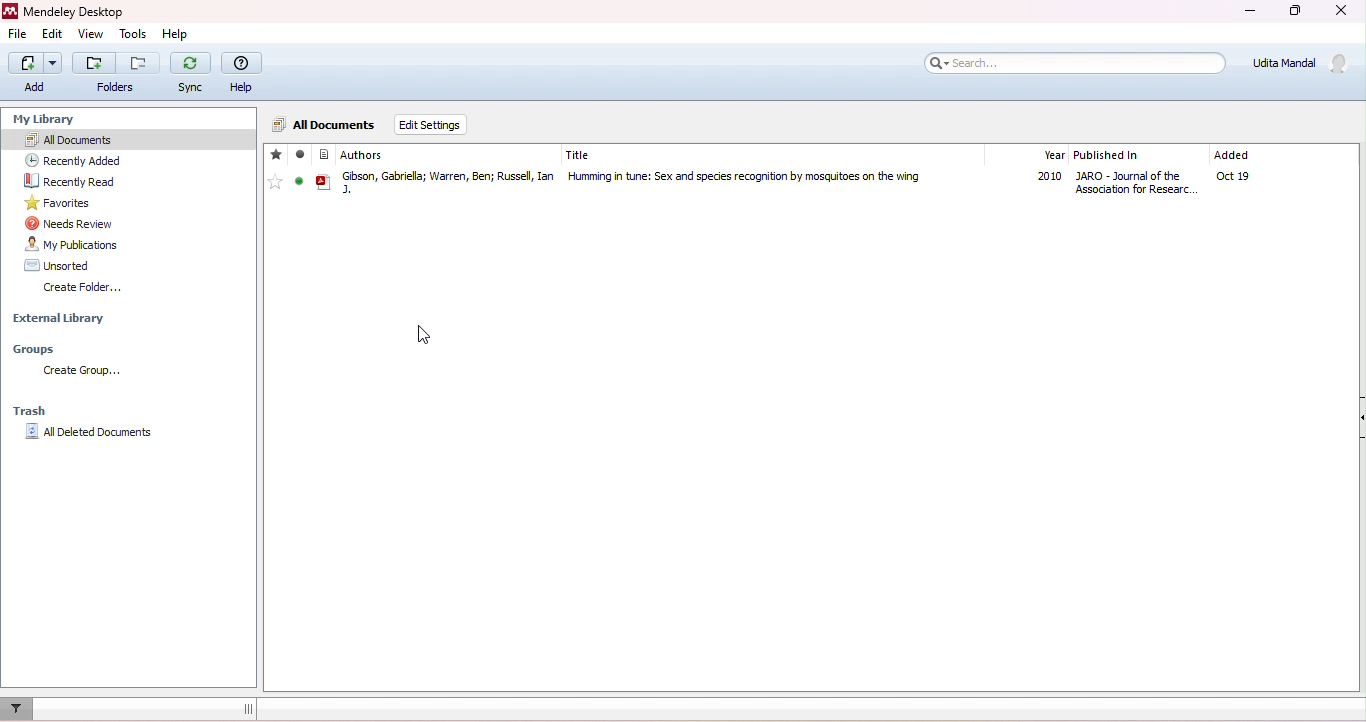 Image resolution: width=1366 pixels, height=722 pixels. What do you see at coordinates (137, 63) in the screenshot?
I see `Remove folder` at bounding box center [137, 63].